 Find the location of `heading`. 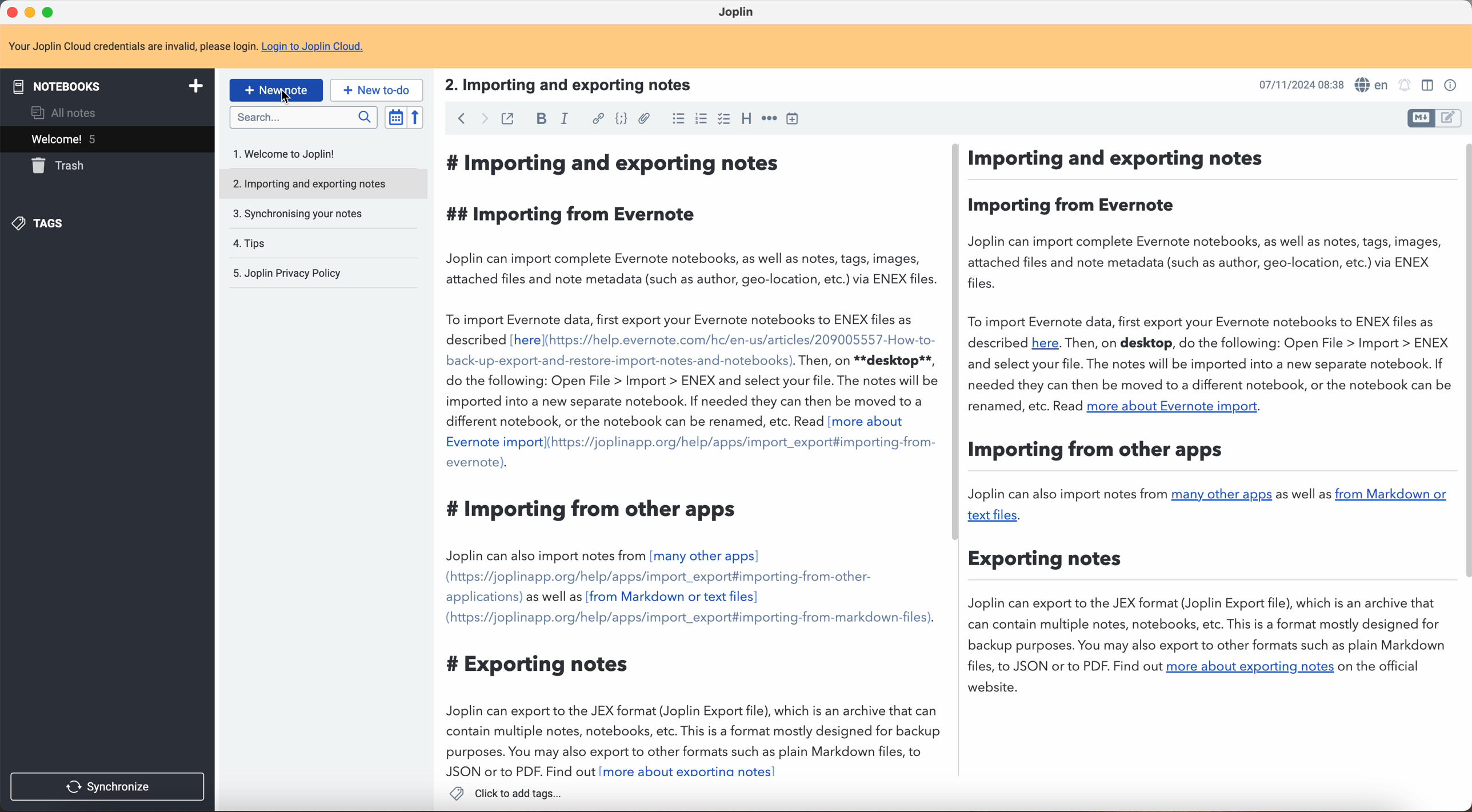

heading is located at coordinates (746, 121).